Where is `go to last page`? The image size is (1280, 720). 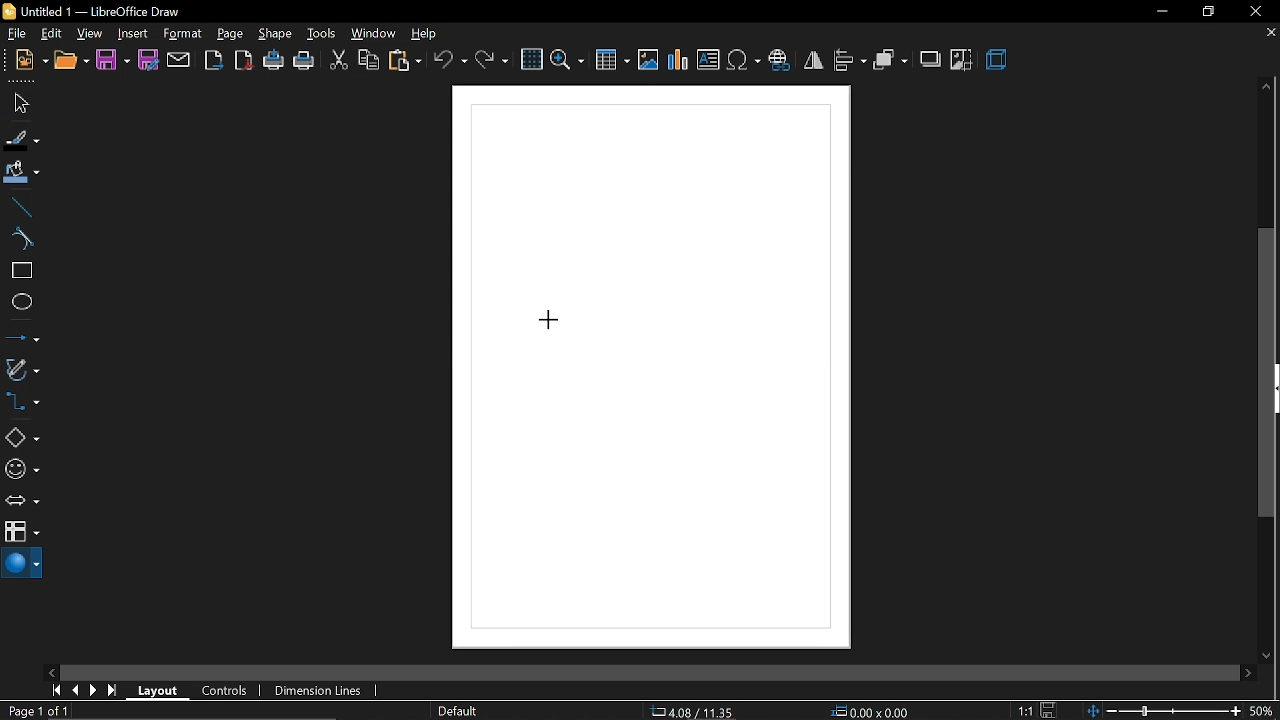
go to last page is located at coordinates (115, 692).